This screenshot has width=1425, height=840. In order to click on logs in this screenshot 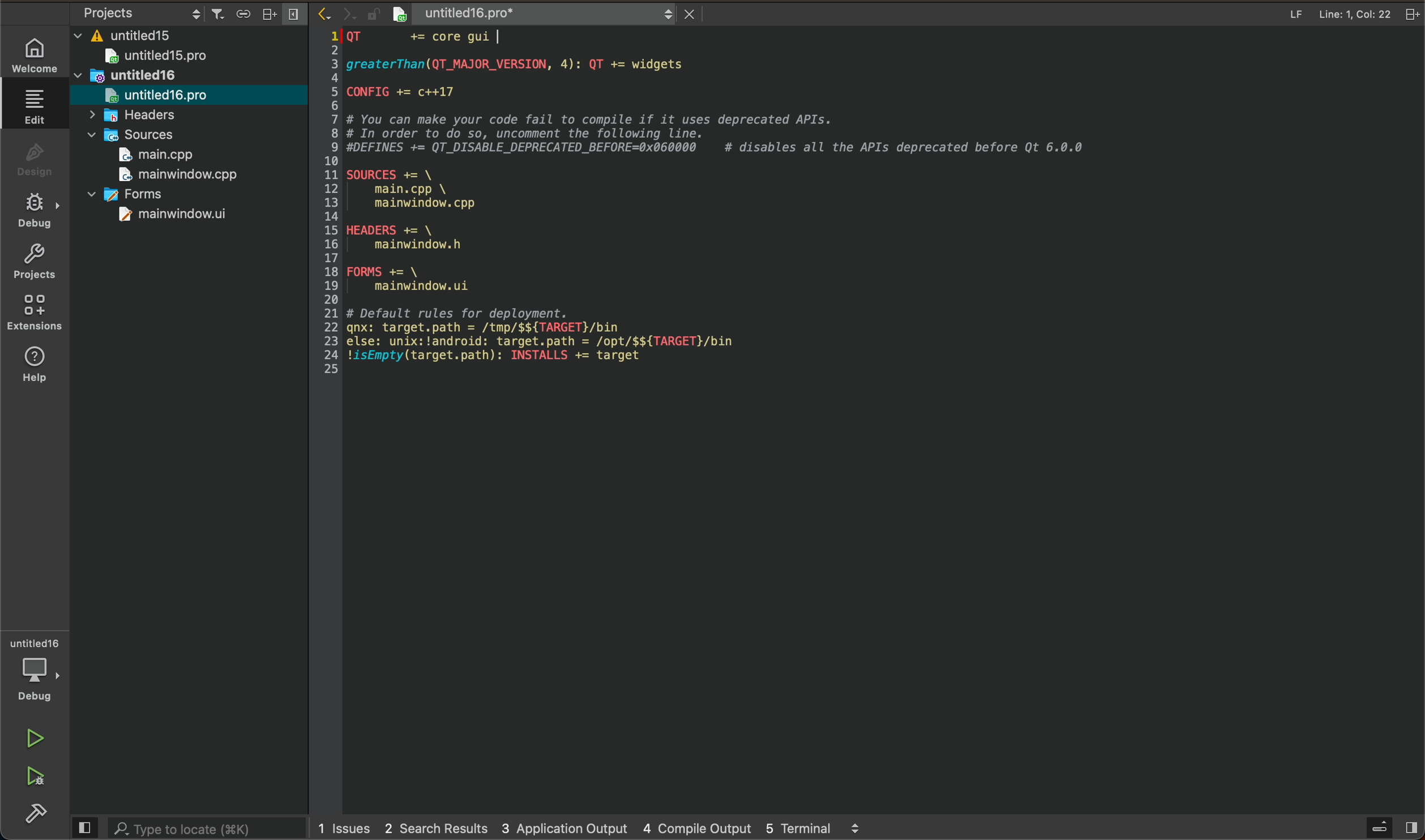, I will do `click(595, 826)`.